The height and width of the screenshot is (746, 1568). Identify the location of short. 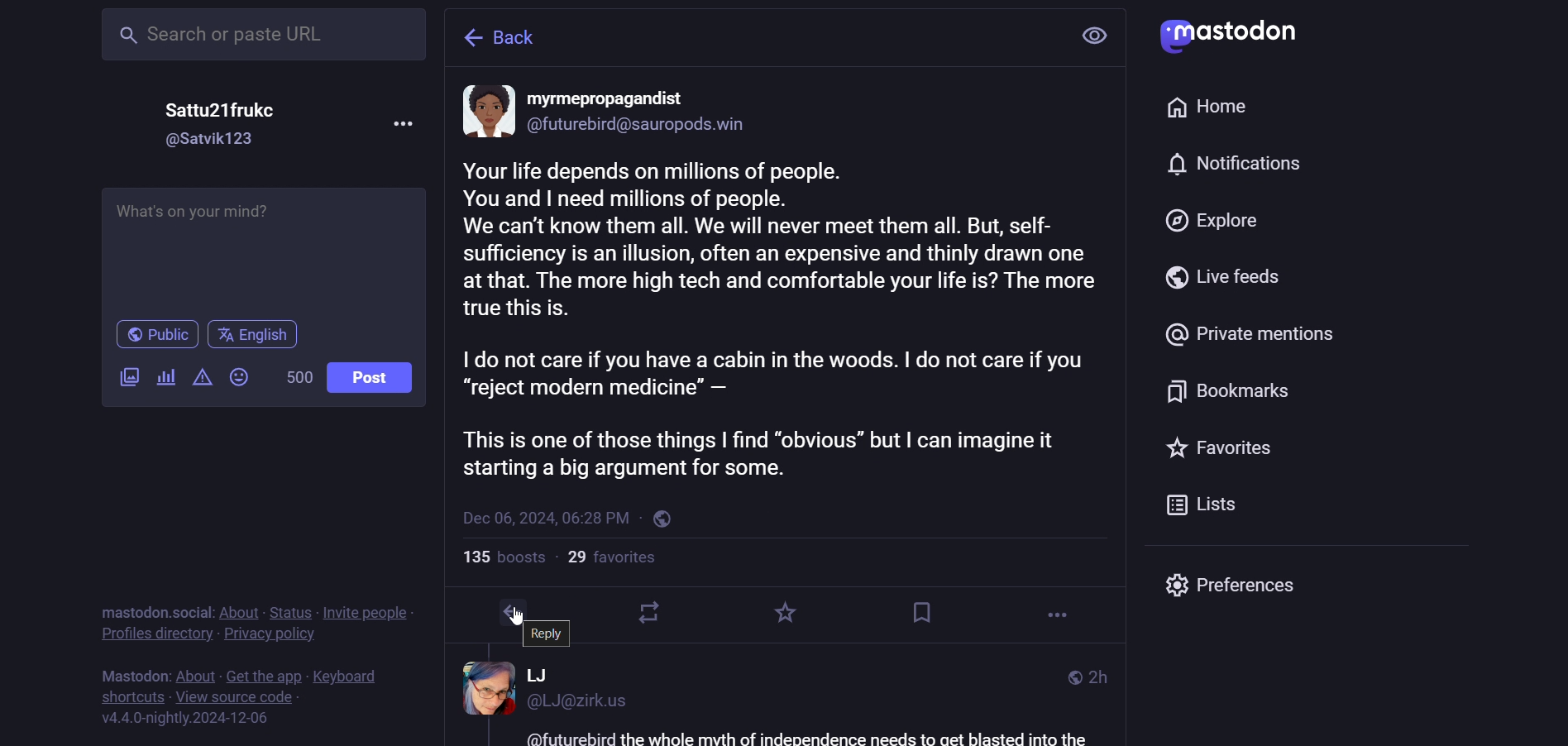
(131, 696).